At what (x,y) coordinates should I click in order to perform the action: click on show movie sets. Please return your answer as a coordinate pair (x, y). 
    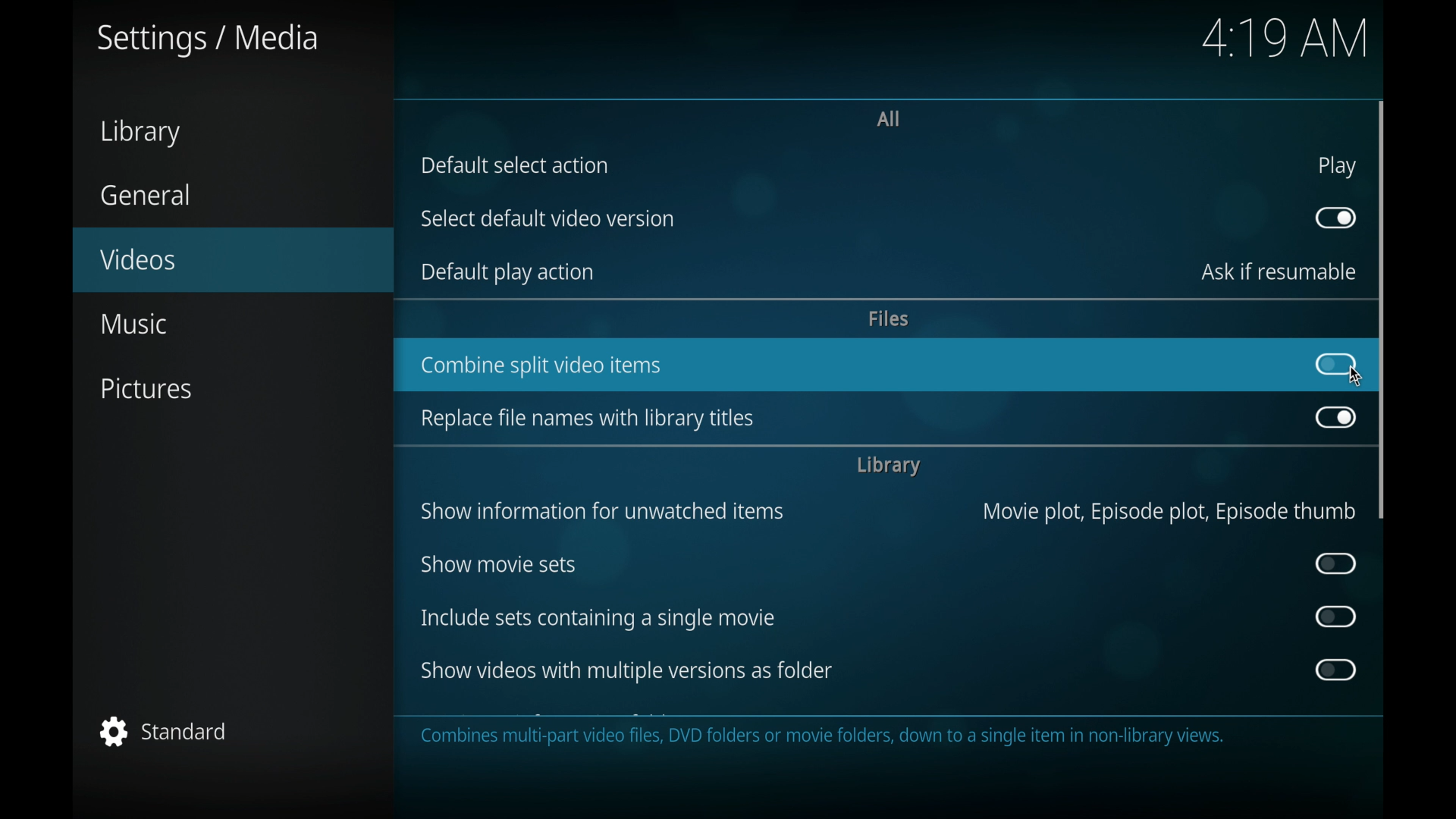
    Looking at the image, I should click on (497, 565).